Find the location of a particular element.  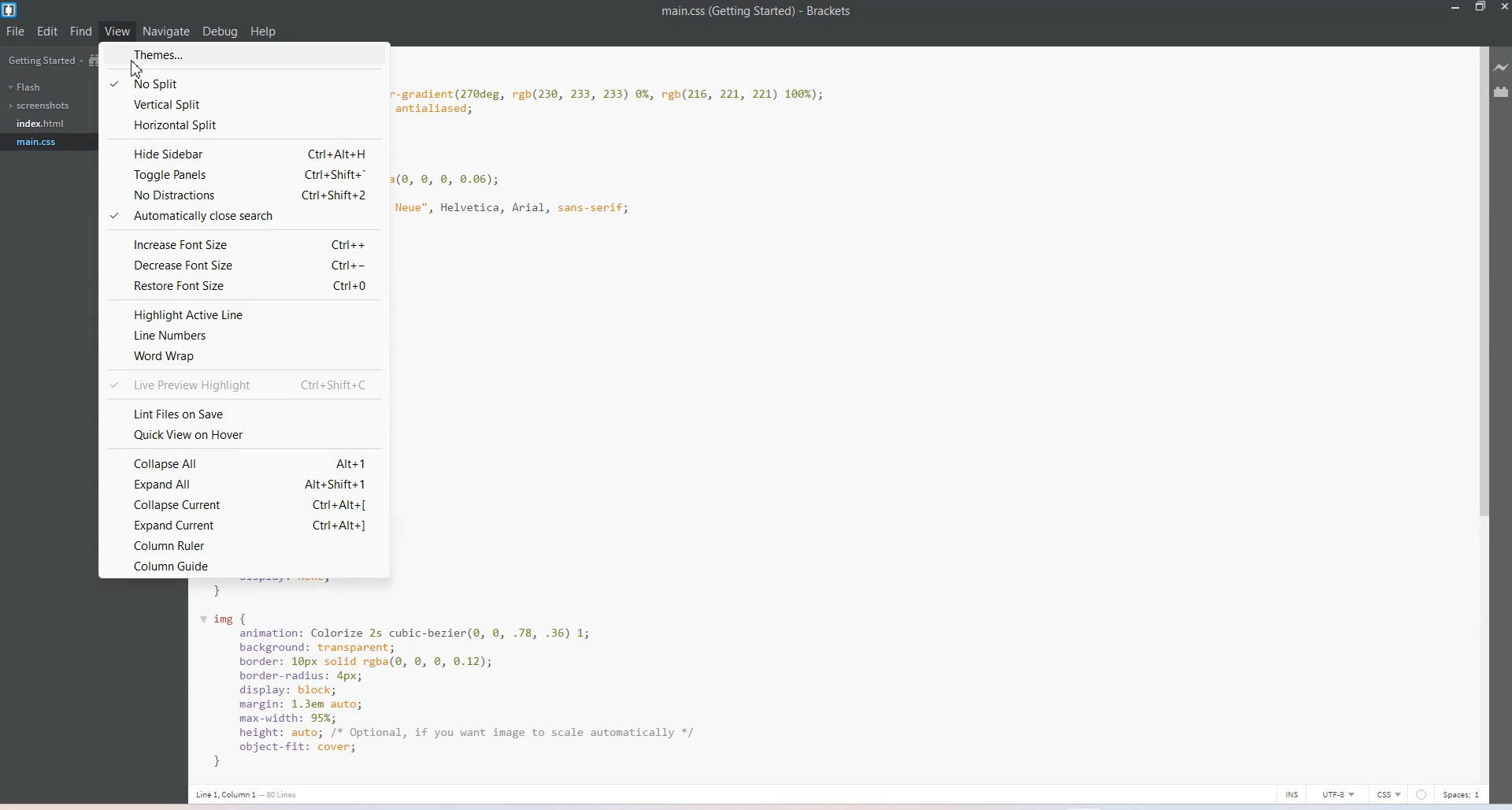

Column Guide is located at coordinates (241, 565).